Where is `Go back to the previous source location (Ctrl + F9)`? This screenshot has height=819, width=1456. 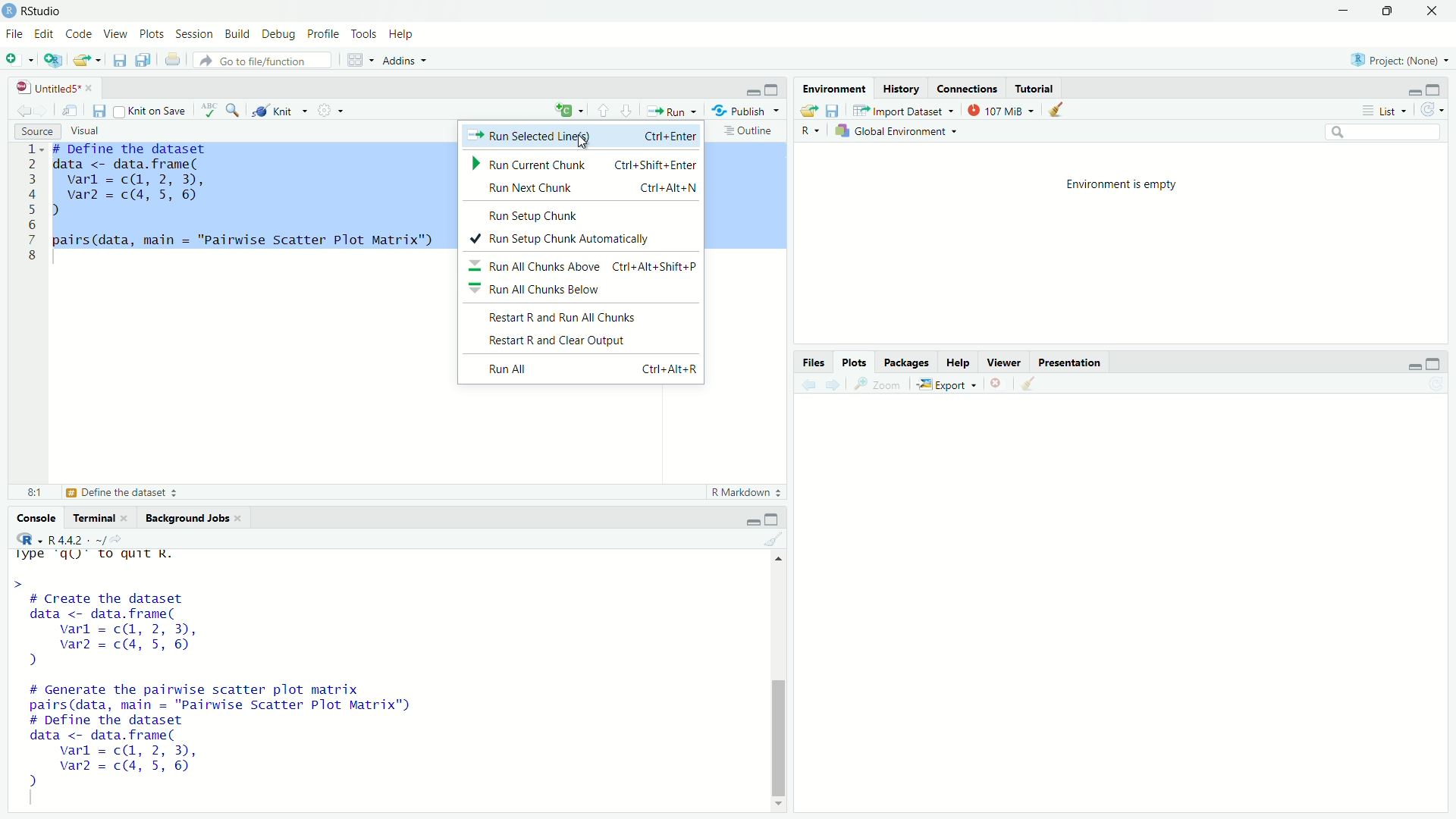 Go back to the previous source location (Ctrl + F9) is located at coordinates (805, 383).